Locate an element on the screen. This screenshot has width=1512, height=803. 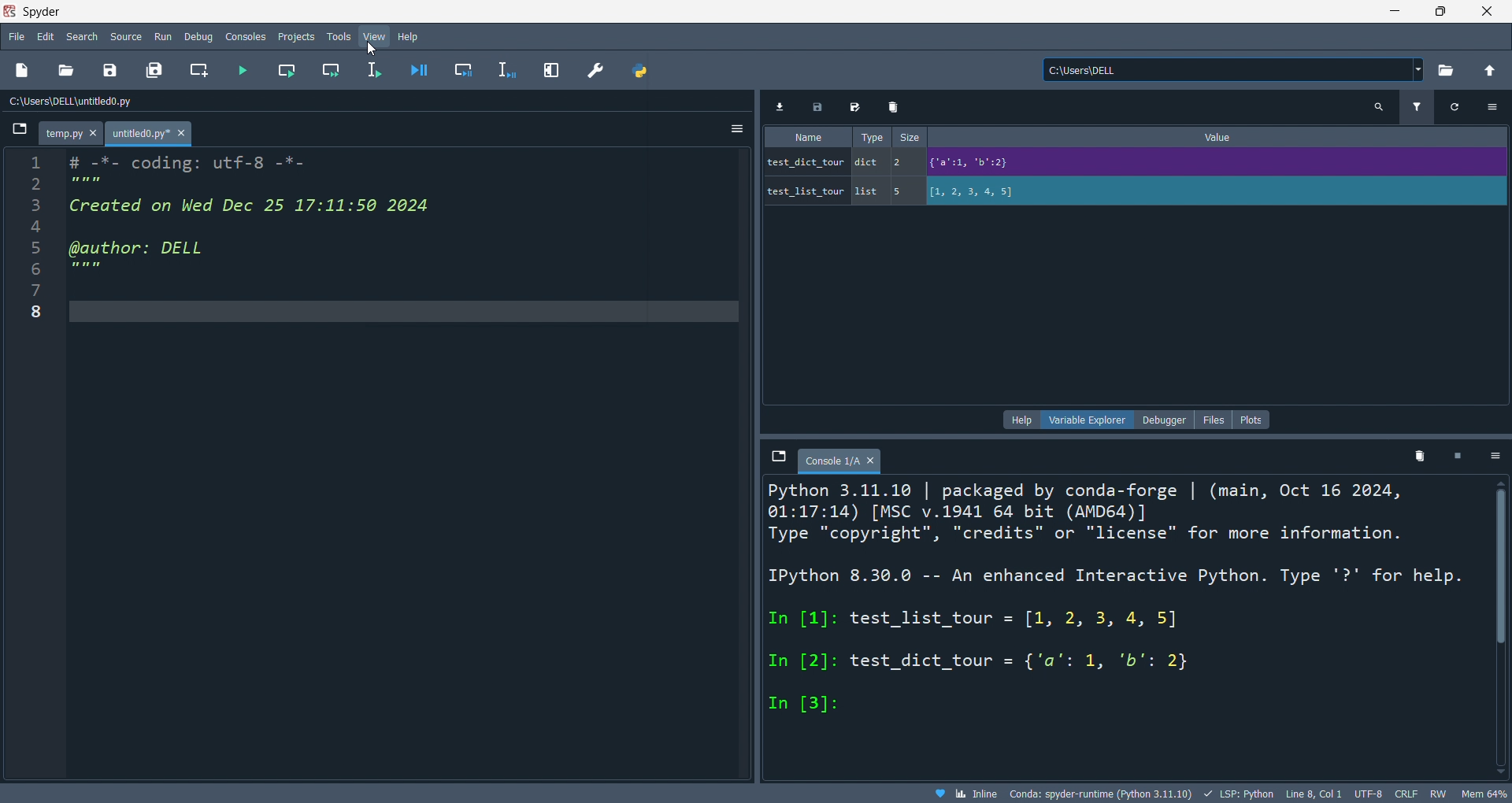
browse tabs is located at coordinates (777, 457).